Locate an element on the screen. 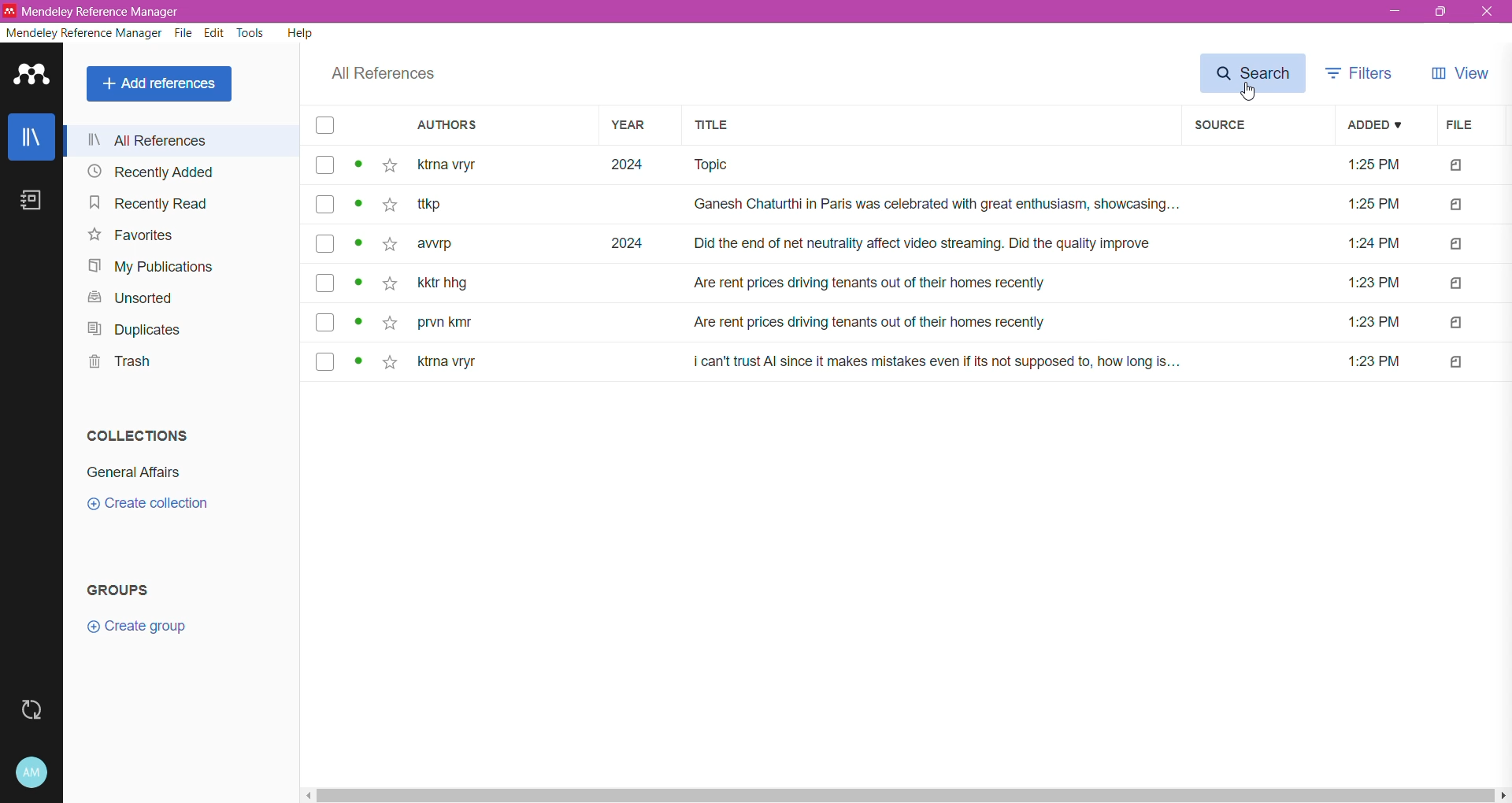 This screenshot has width=1512, height=803. move left is located at coordinates (308, 794).